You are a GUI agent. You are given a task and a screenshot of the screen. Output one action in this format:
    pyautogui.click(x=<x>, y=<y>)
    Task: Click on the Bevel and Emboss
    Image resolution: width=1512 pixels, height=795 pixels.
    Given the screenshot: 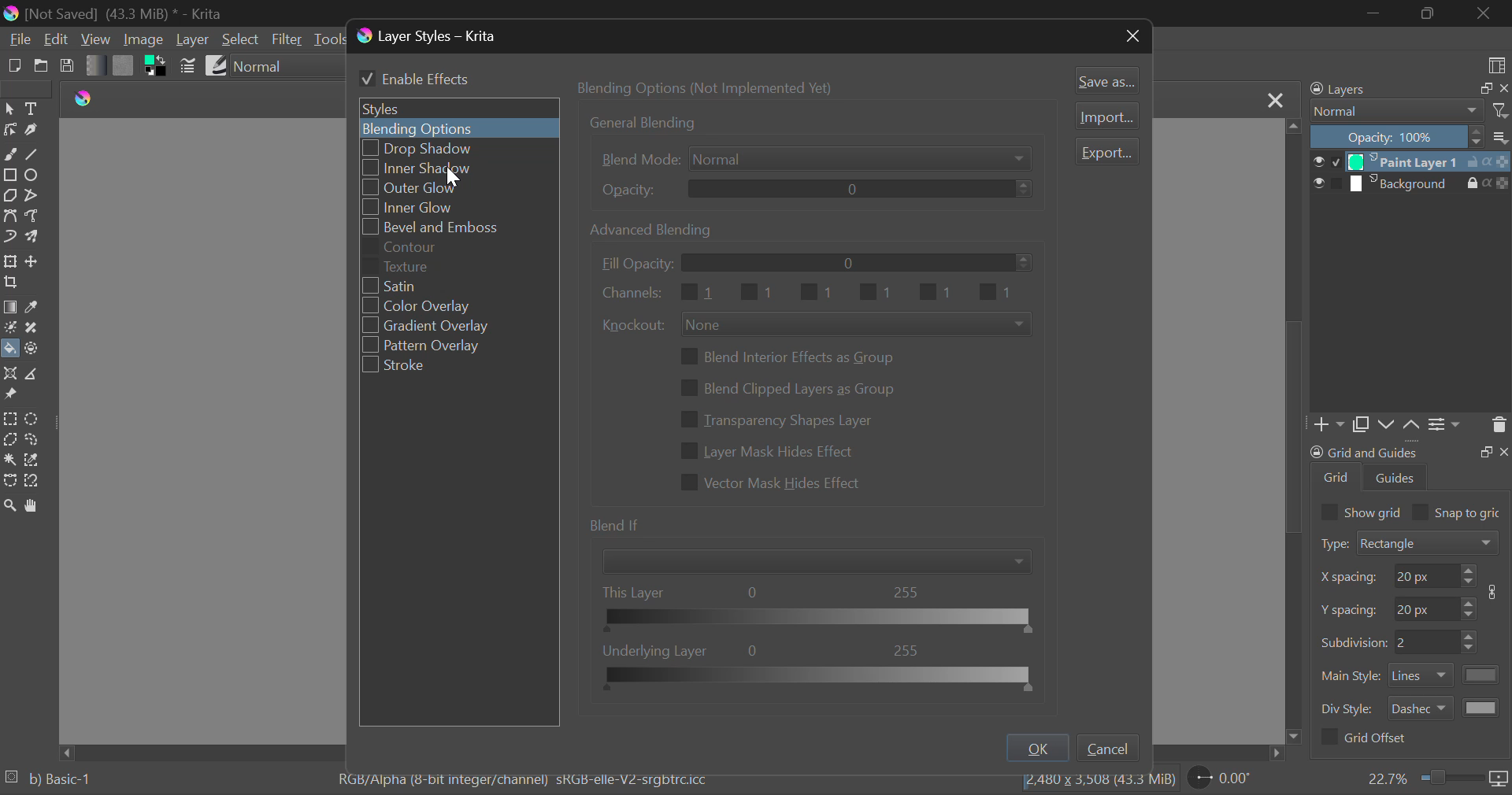 What is the action you would take?
    pyautogui.click(x=443, y=227)
    